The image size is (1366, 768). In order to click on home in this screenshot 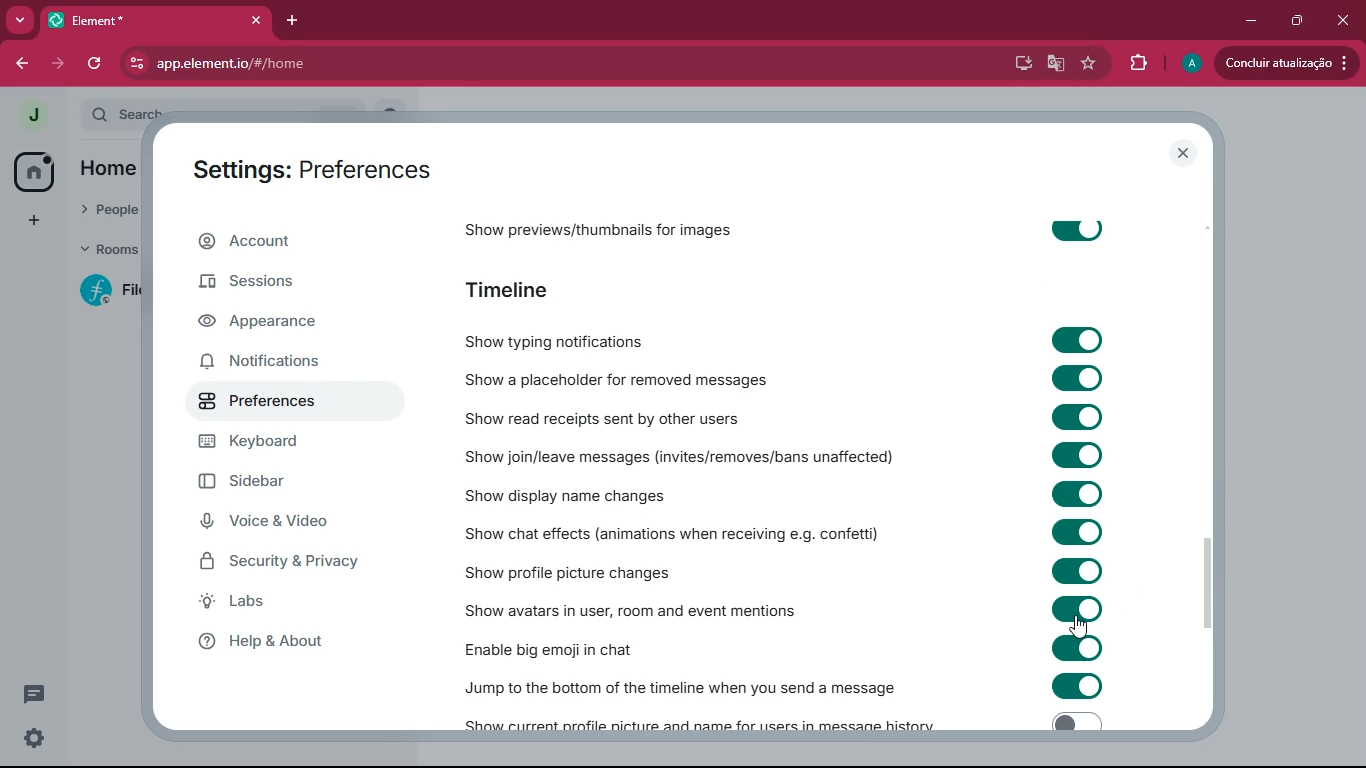, I will do `click(34, 170)`.